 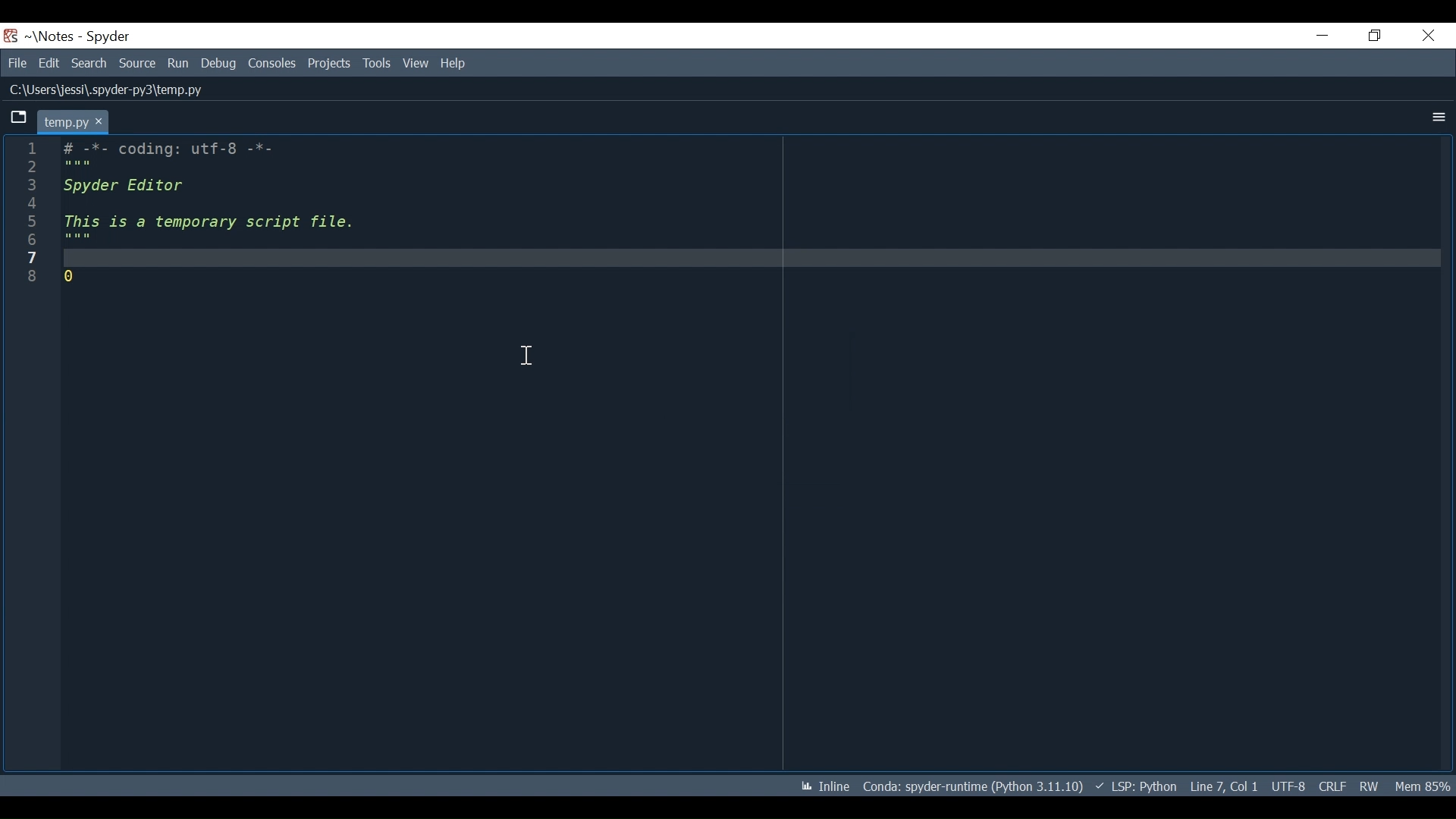 What do you see at coordinates (527, 355) in the screenshot?
I see `Insertion cursor` at bounding box center [527, 355].